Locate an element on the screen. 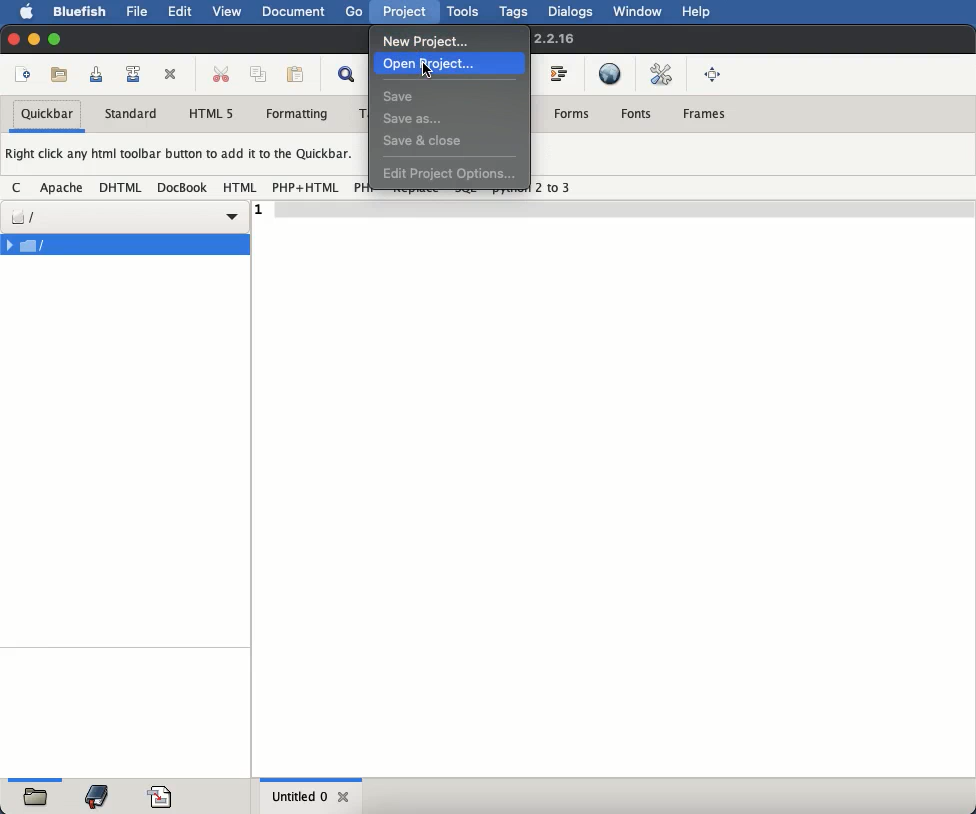 The height and width of the screenshot is (814, 976). help is located at coordinates (697, 12).